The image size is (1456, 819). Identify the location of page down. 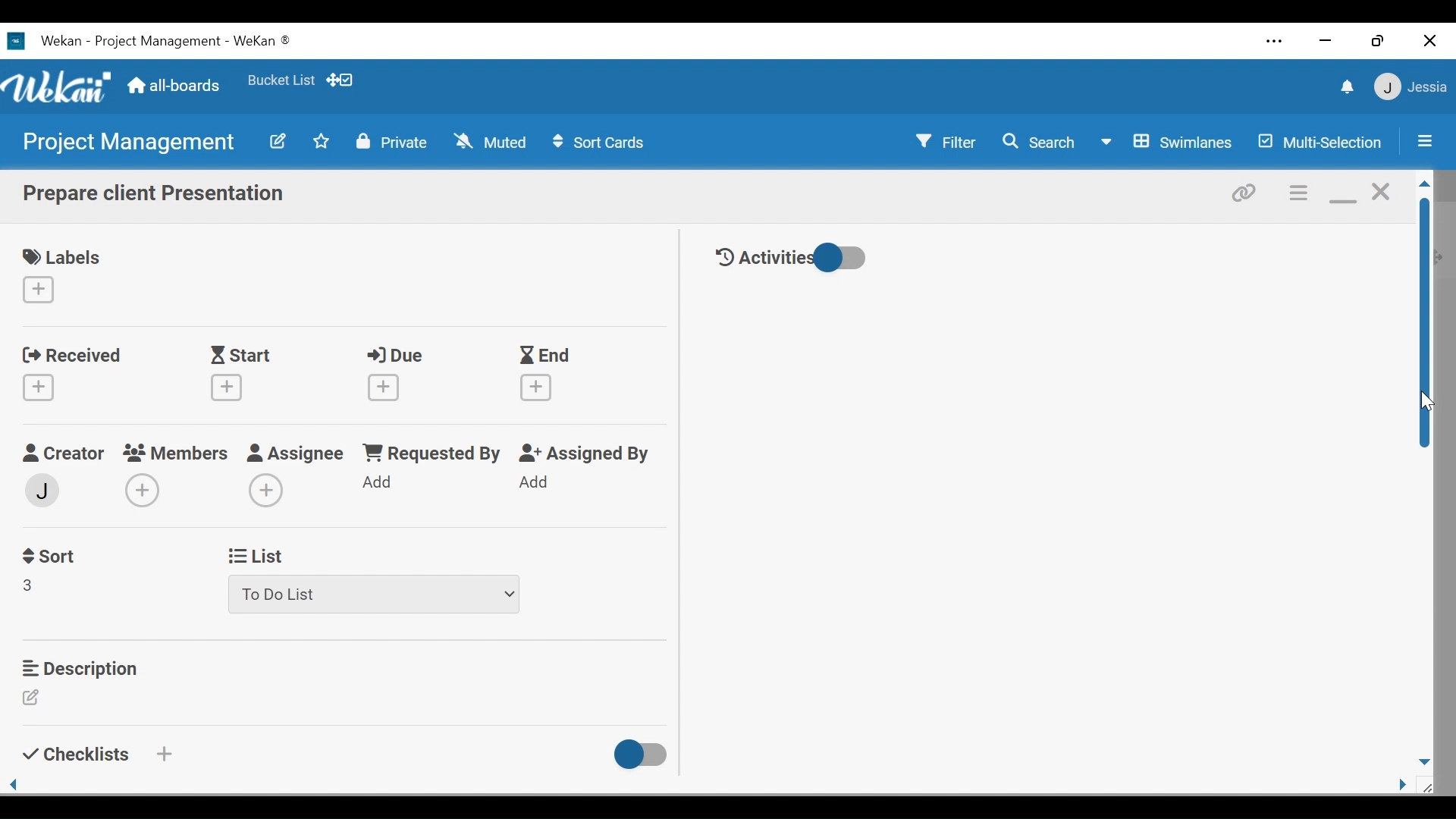
(1421, 764).